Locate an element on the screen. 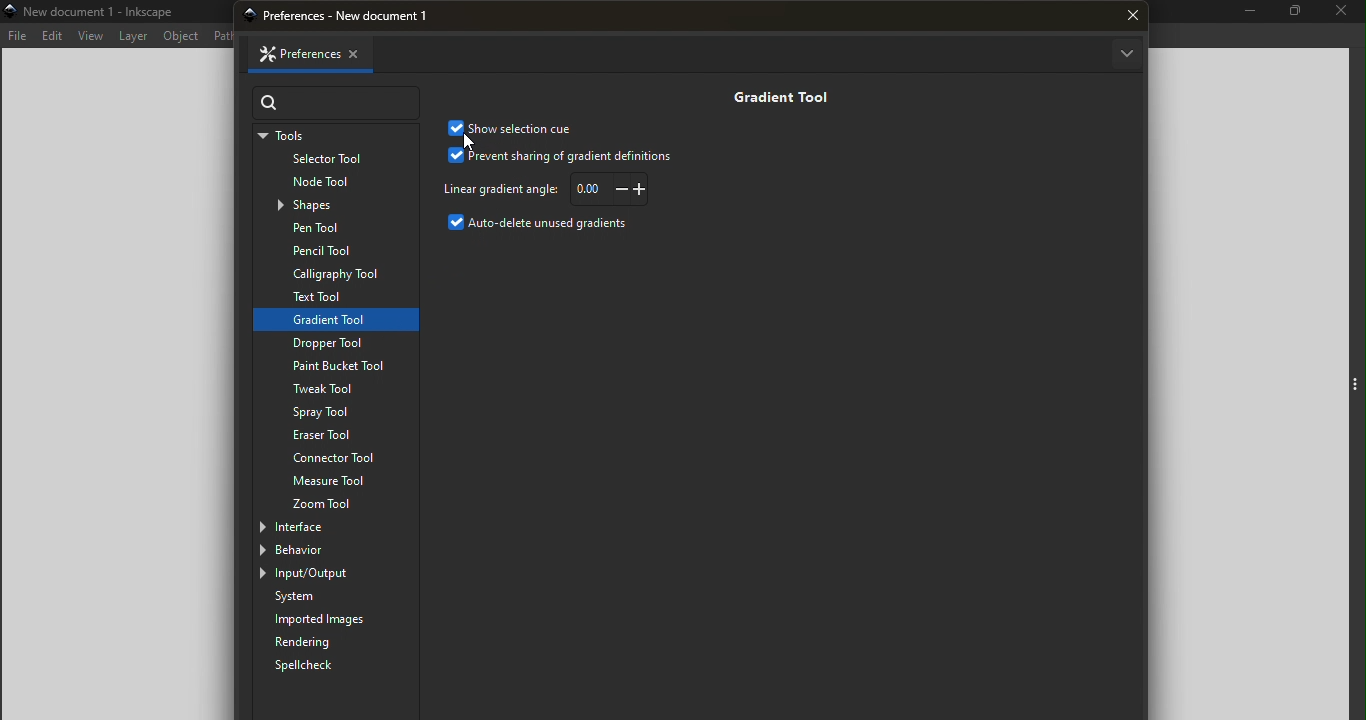 This screenshot has width=1366, height=720. Linear gradient angle is located at coordinates (499, 189).